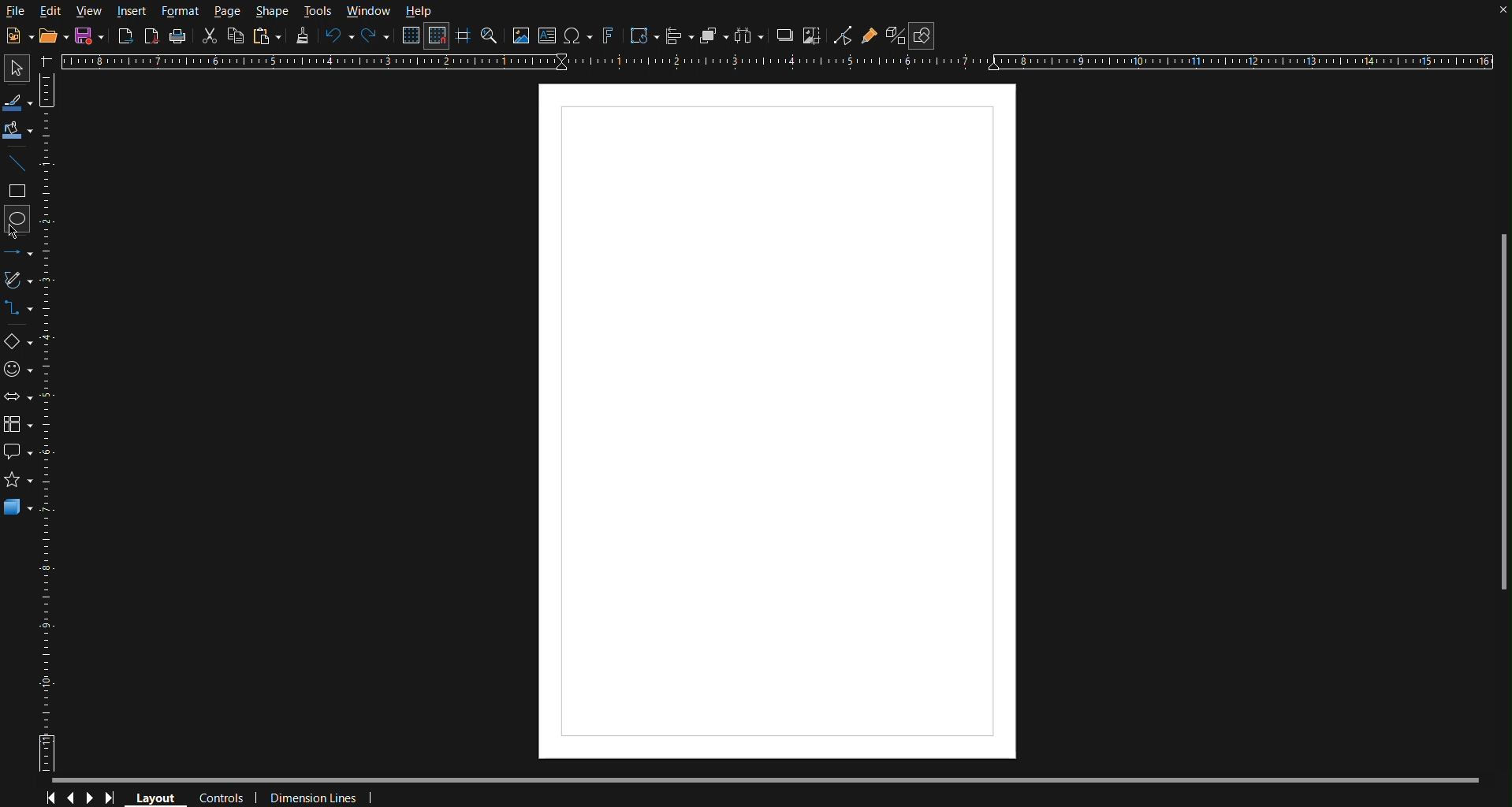 This screenshot has width=1512, height=807. What do you see at coordinates (339, 39) in the screenshot?
I see `Undo` at bounding box center [339, 39].